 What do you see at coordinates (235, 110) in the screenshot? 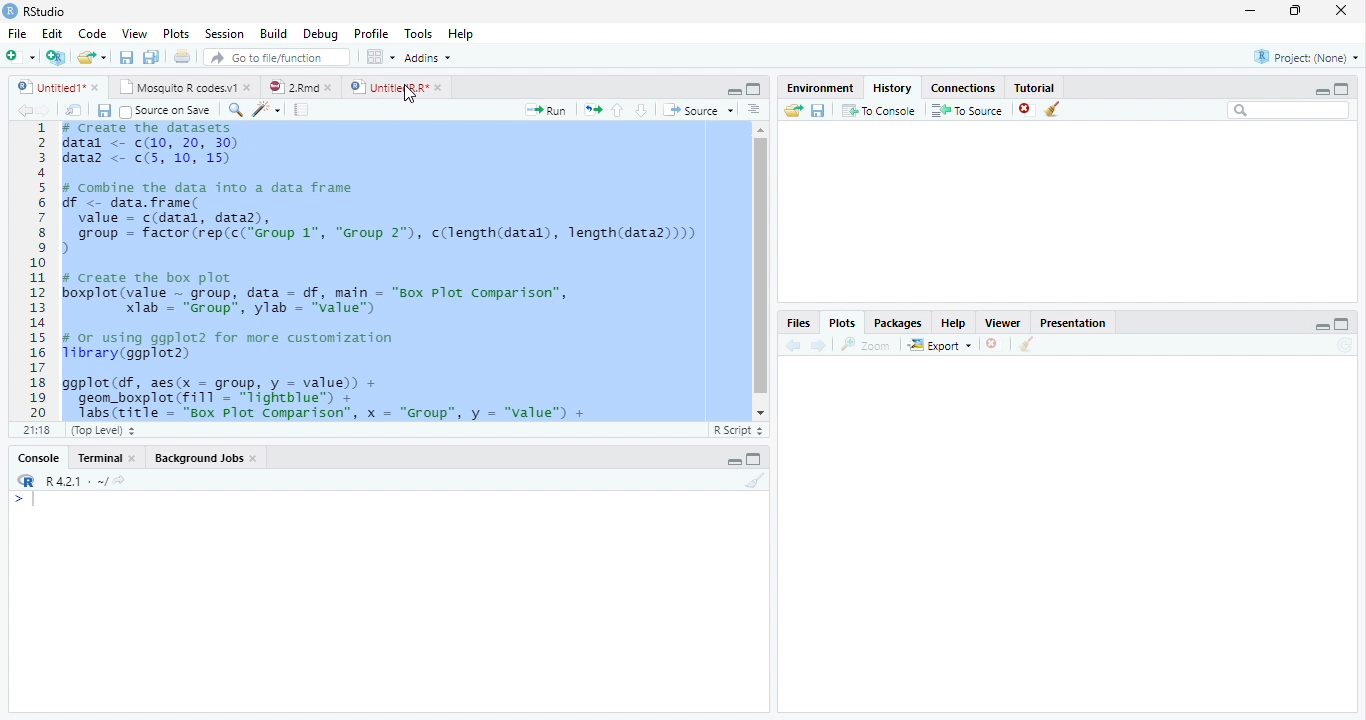
I see `Find/Replace` at bounding box center [235, 110].